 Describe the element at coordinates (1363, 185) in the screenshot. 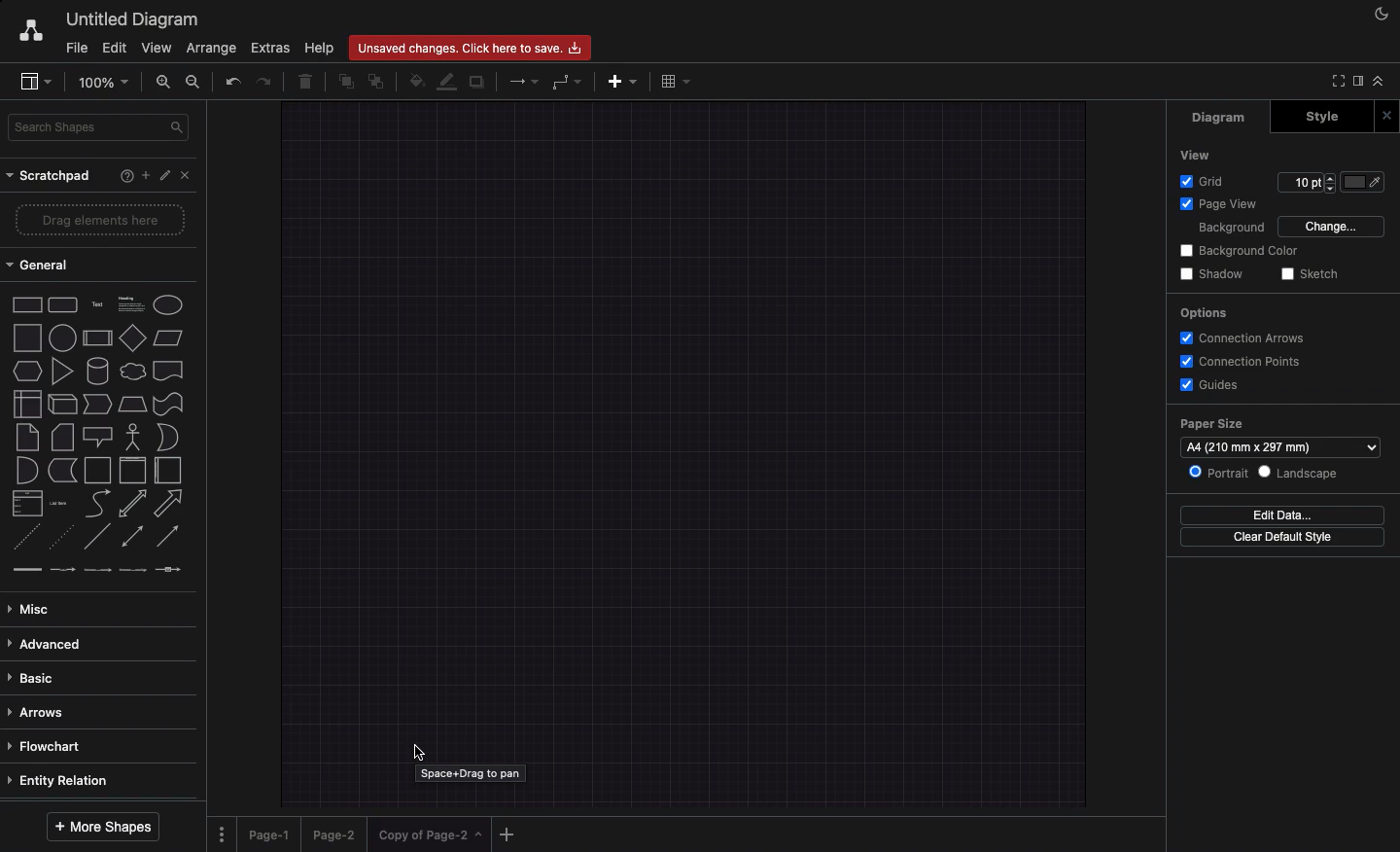

I see `Color` at that location.